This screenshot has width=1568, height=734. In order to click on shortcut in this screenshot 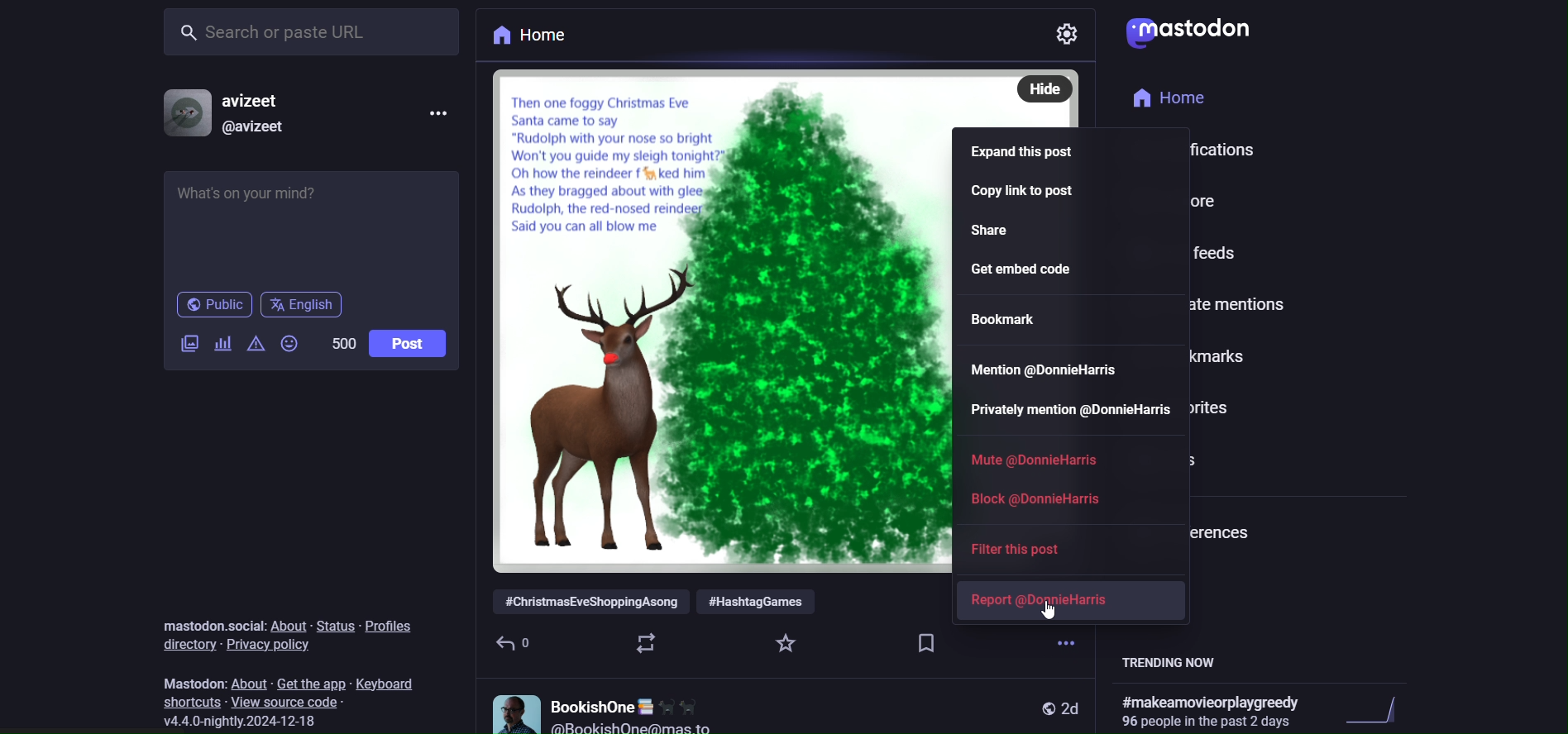, I will do `click(191, 702)`.